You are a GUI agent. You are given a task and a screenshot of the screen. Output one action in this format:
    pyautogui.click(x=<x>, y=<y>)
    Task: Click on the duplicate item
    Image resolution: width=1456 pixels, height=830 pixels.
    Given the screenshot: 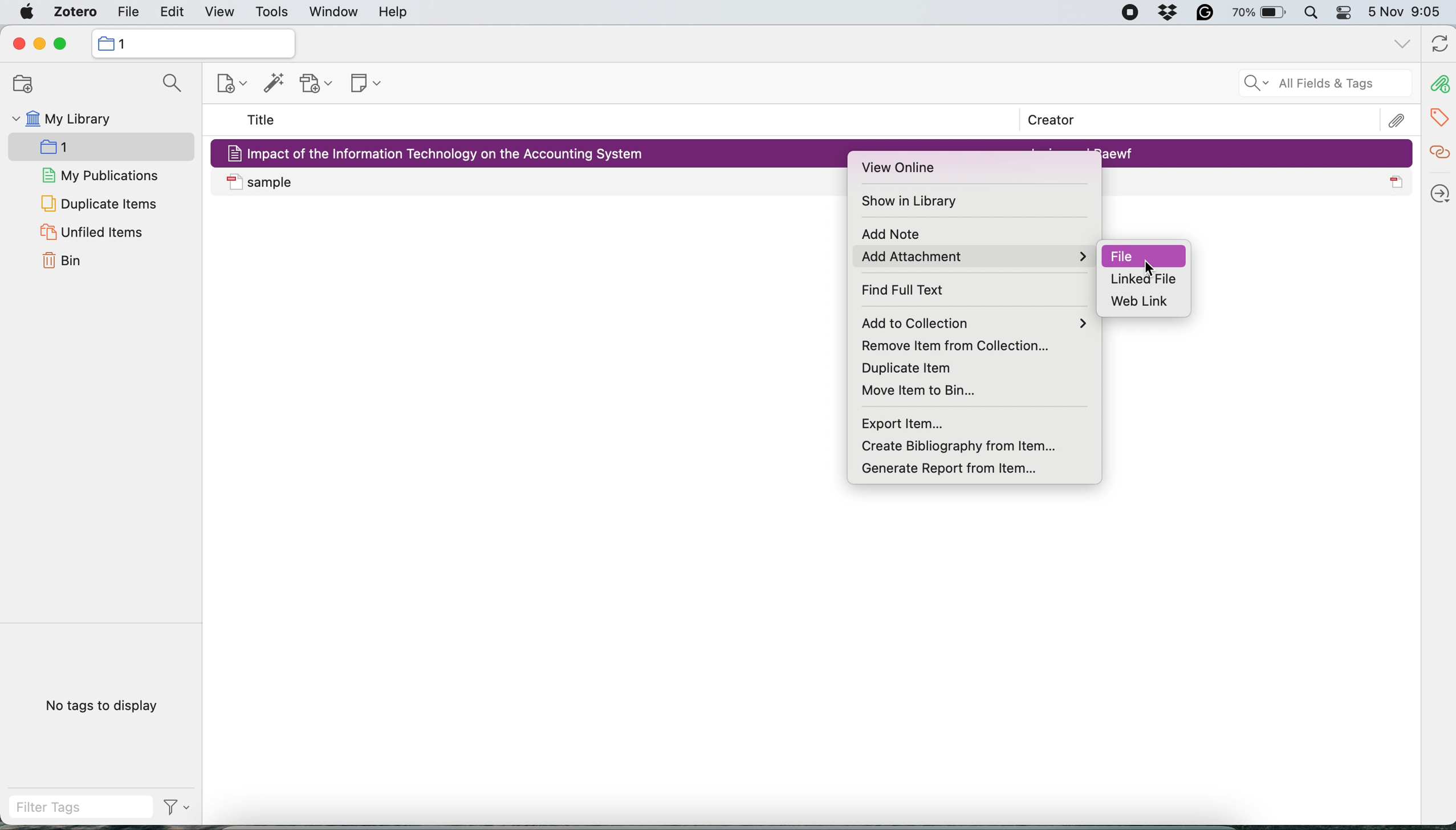 What is the action you would take?
    pyautogui.click(x=903, y=367)
    